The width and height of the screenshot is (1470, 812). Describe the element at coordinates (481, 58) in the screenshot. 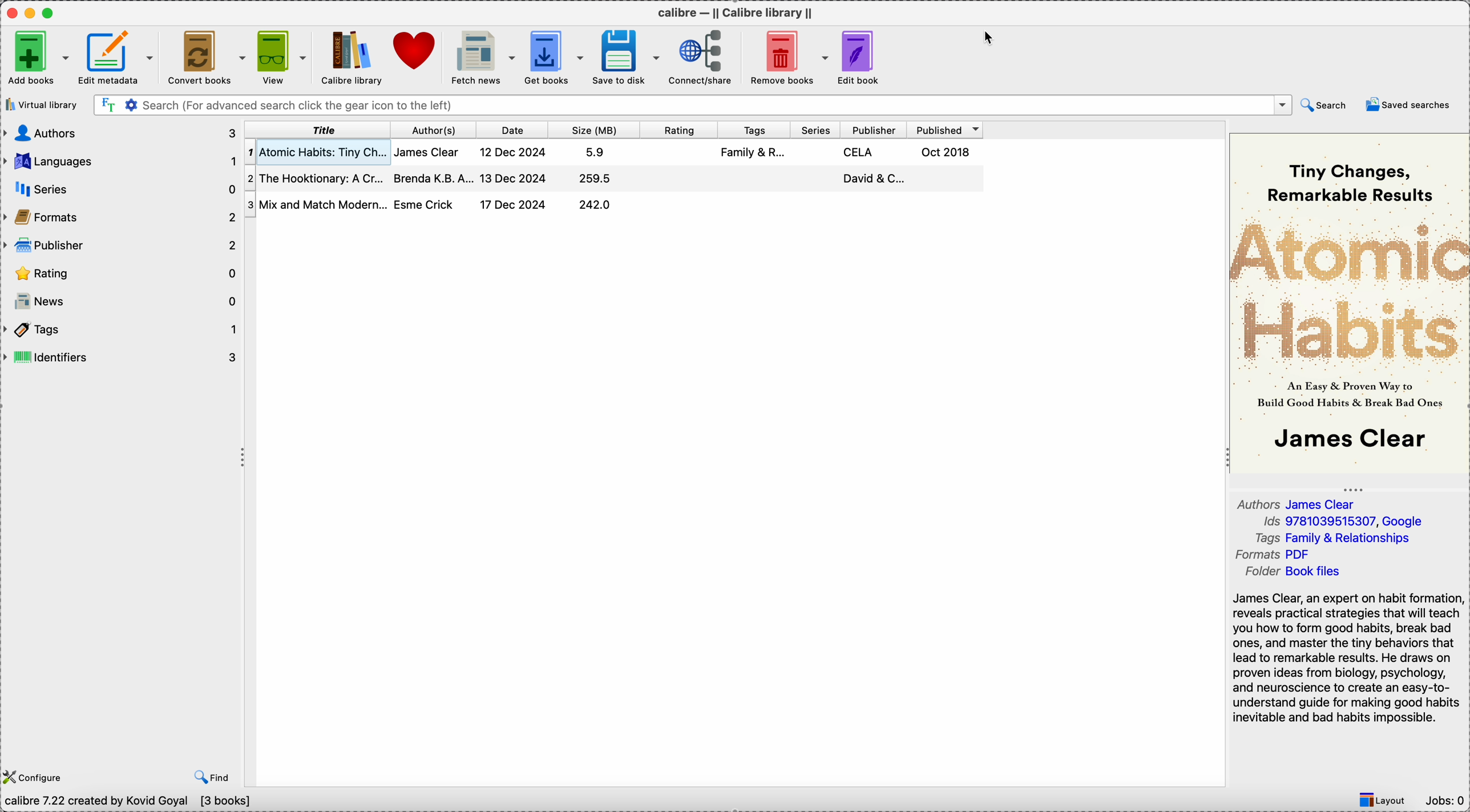

I see `fetch news` at that location.